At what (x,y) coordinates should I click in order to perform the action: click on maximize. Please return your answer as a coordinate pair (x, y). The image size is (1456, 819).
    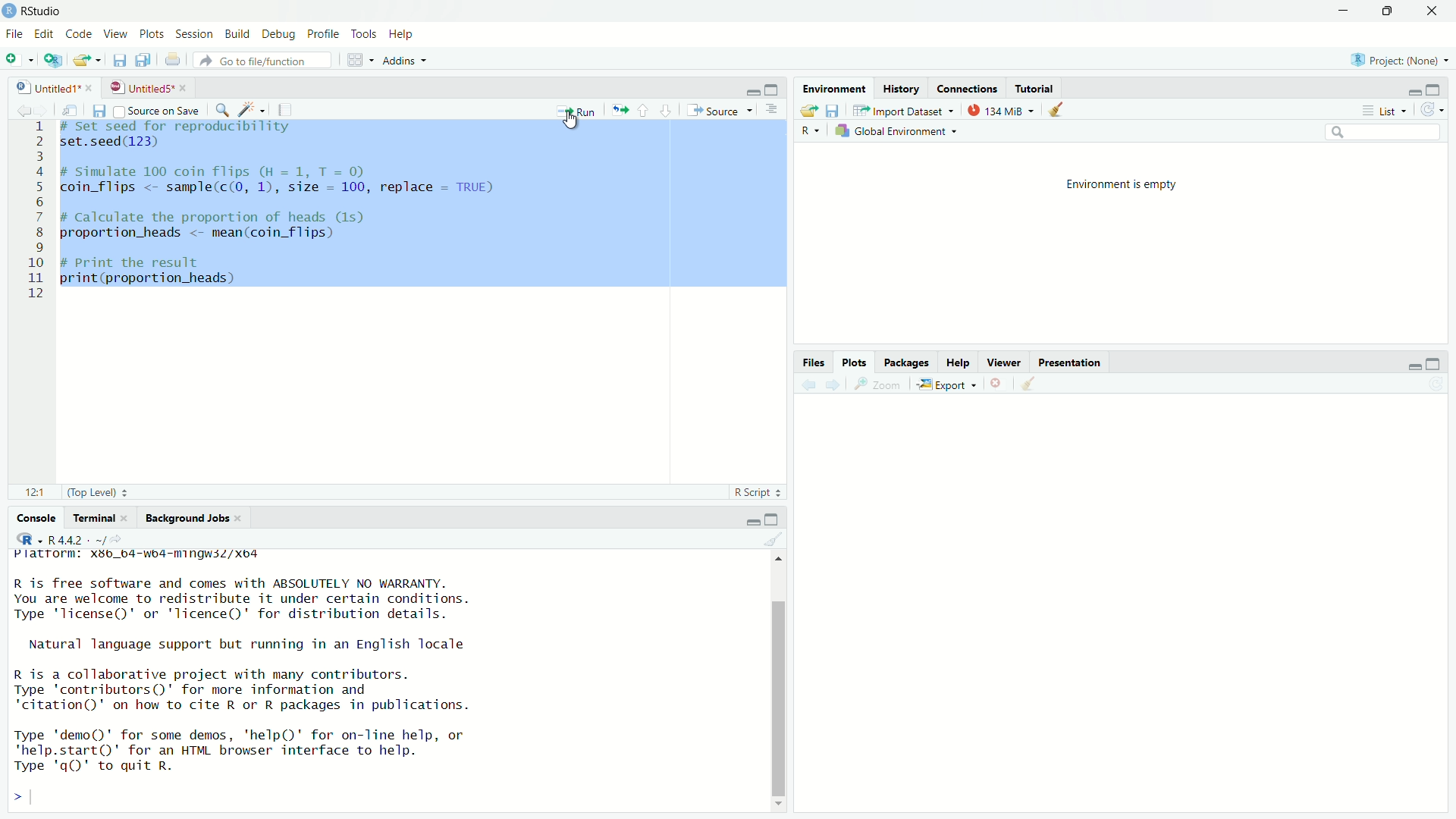
    Looking at the image, I should click on (1441, 86).